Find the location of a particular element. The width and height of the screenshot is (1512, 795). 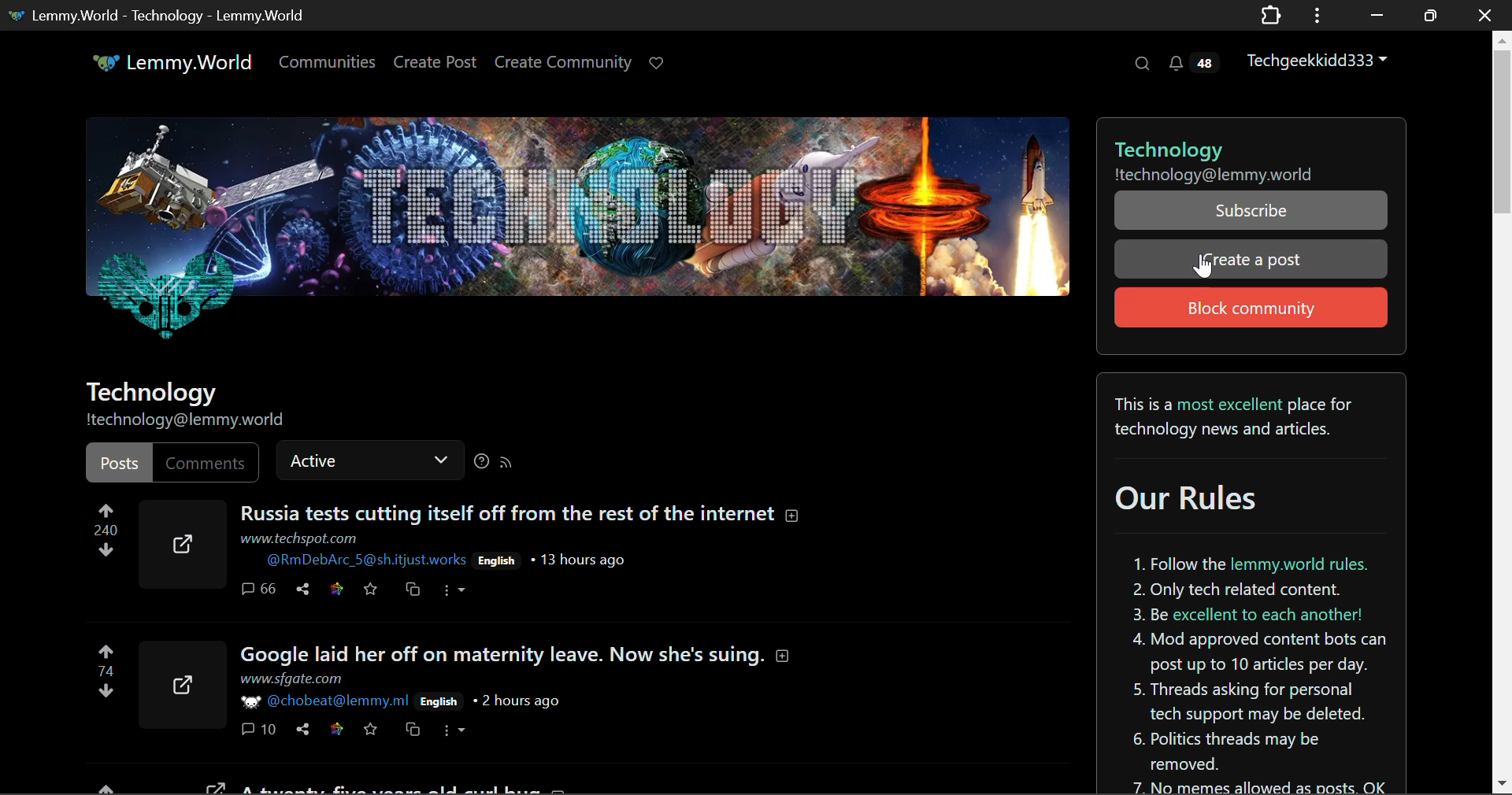

Techgeekkidd333 is located at coordinates (1324, 59).